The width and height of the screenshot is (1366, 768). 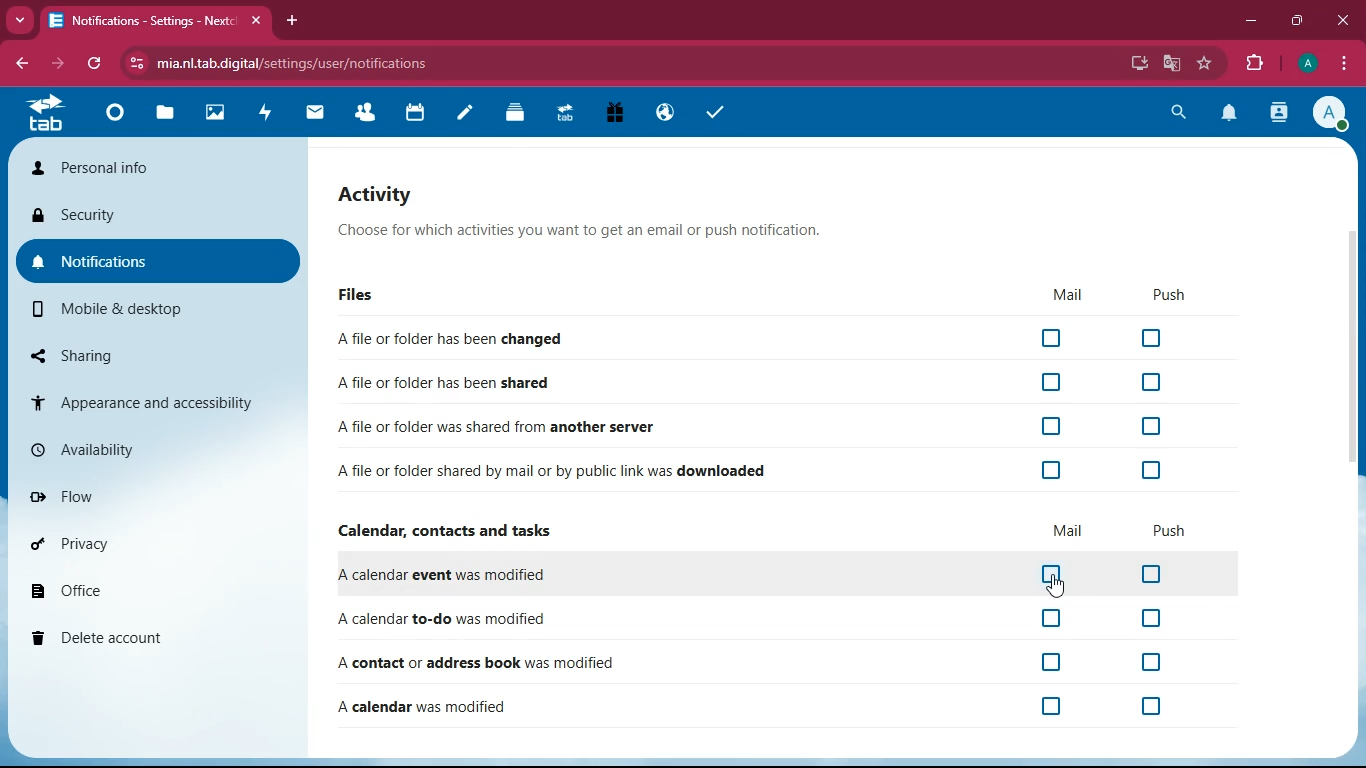 What do you see at coordinates (1172, 532) in the screenshot?
I see `push` at bounding box center [1172, 532].